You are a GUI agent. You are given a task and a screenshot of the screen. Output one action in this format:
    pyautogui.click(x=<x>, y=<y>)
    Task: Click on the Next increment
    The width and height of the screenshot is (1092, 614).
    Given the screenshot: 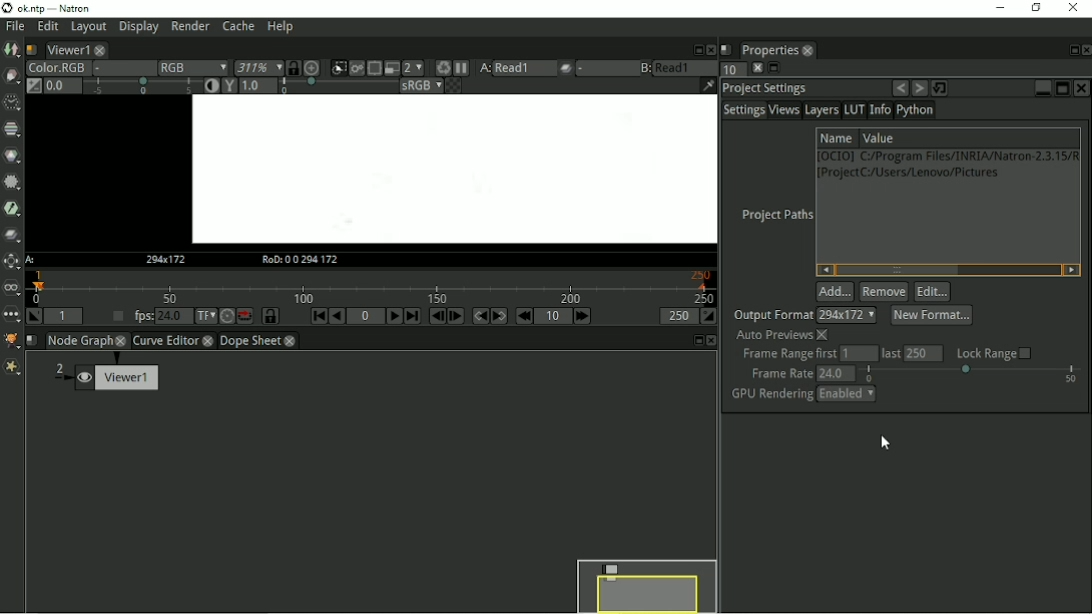 What is the action you would take?
    pyautogui.click(x=586, y=318)
    